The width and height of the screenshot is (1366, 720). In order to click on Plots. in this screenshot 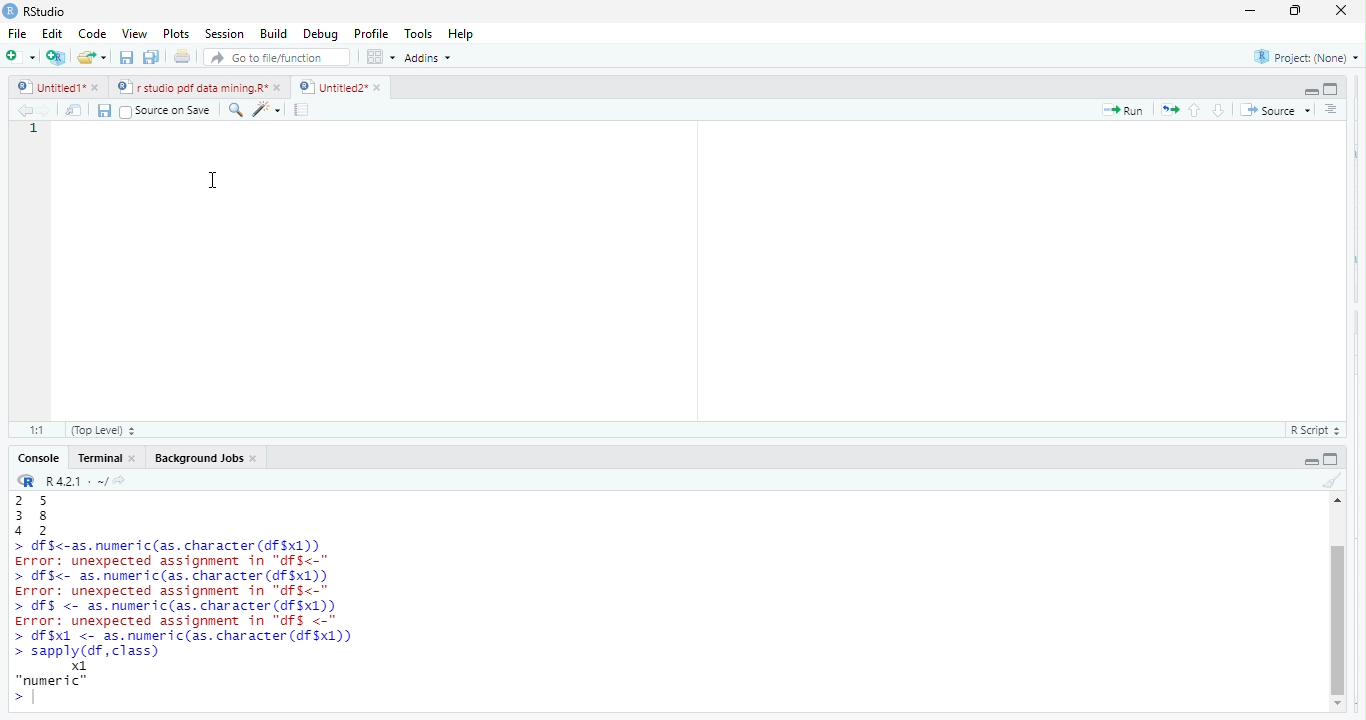, I will do `click(175, 34)`.